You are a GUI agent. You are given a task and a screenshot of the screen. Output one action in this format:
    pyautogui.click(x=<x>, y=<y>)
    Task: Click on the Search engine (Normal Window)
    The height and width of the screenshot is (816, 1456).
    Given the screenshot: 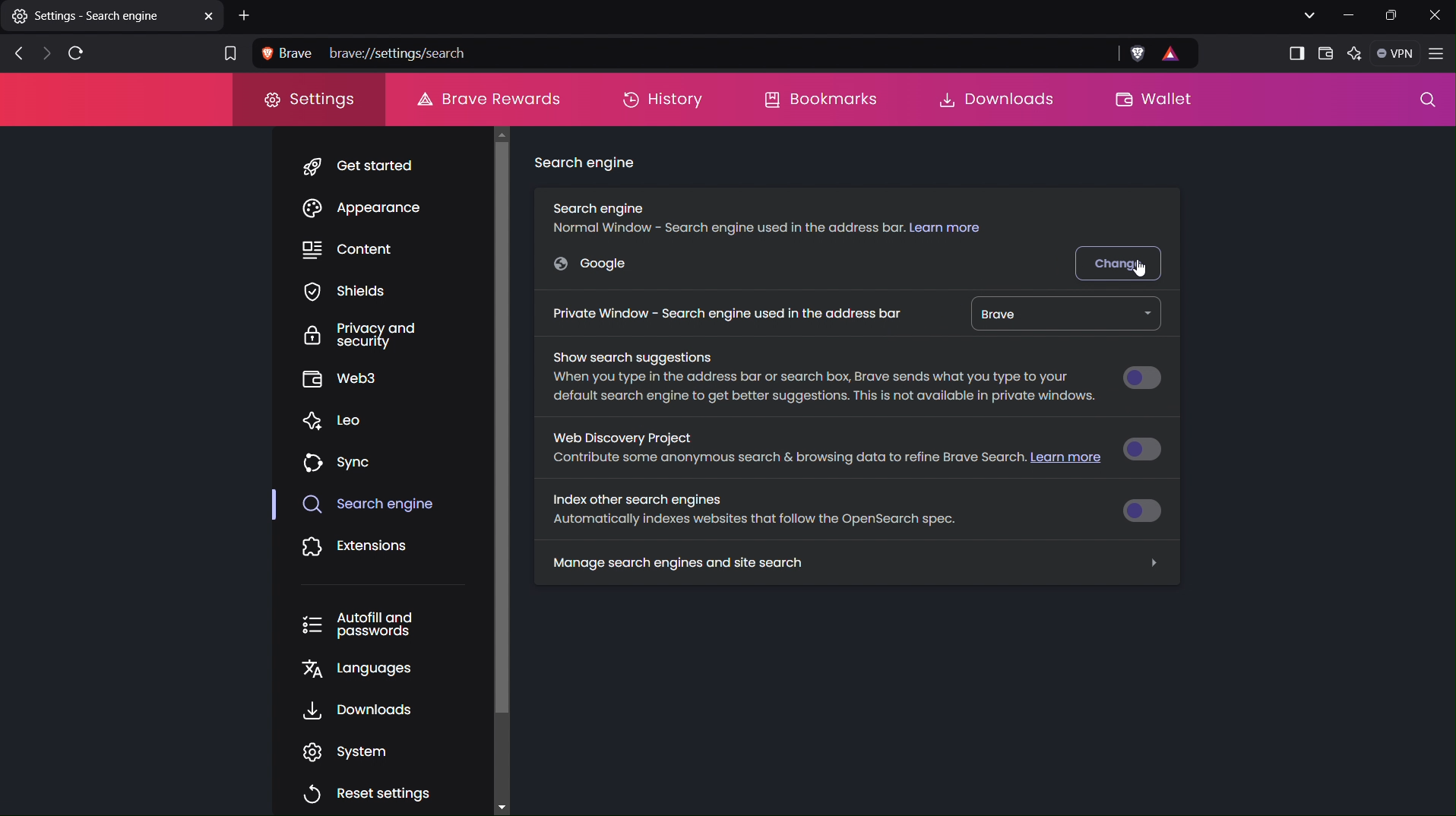 What is the action you would take?
    pyautogui.click(x=771, y=214)
    